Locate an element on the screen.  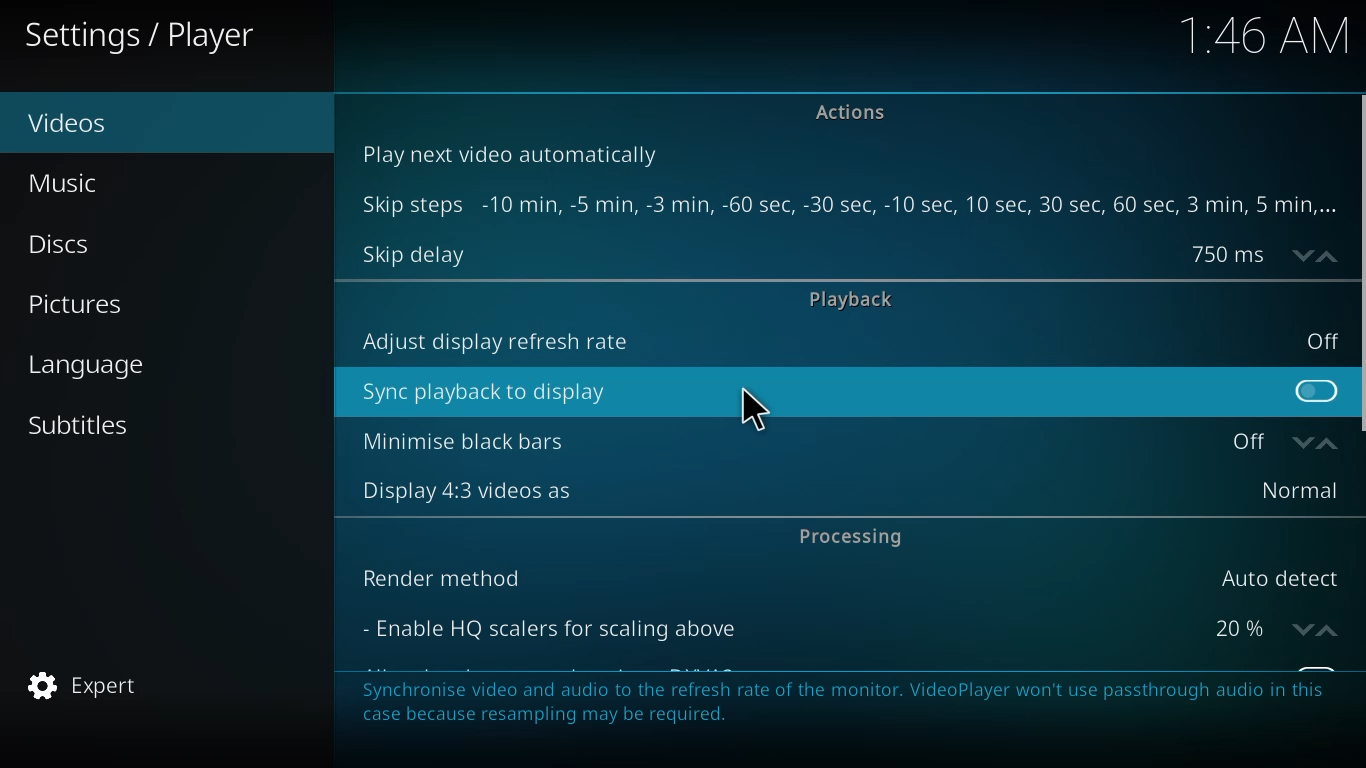
playback is located at coordinates (851, 296).